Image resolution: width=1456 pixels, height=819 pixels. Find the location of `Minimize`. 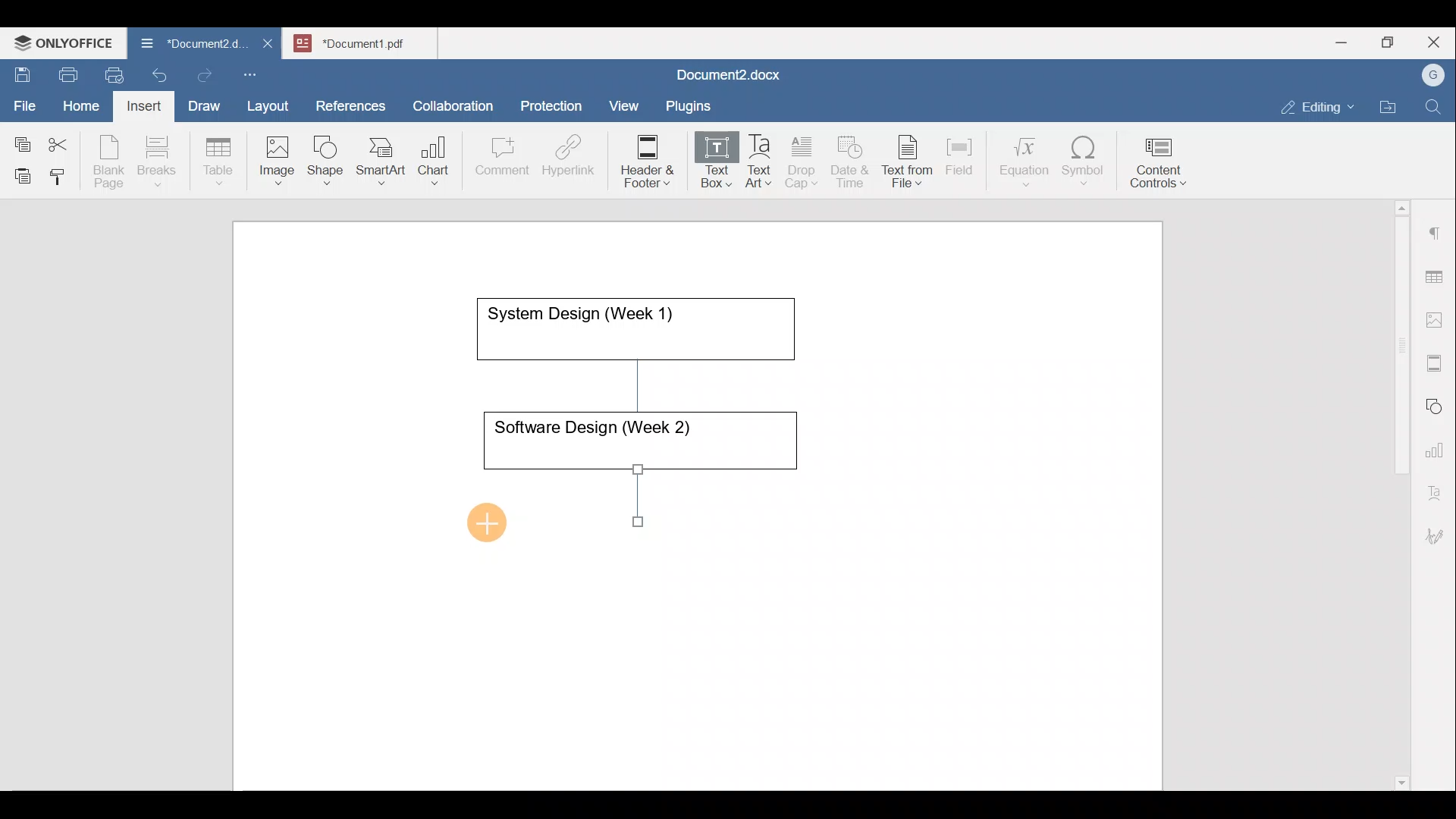

Minimize is located at coordinates (1341, 41).